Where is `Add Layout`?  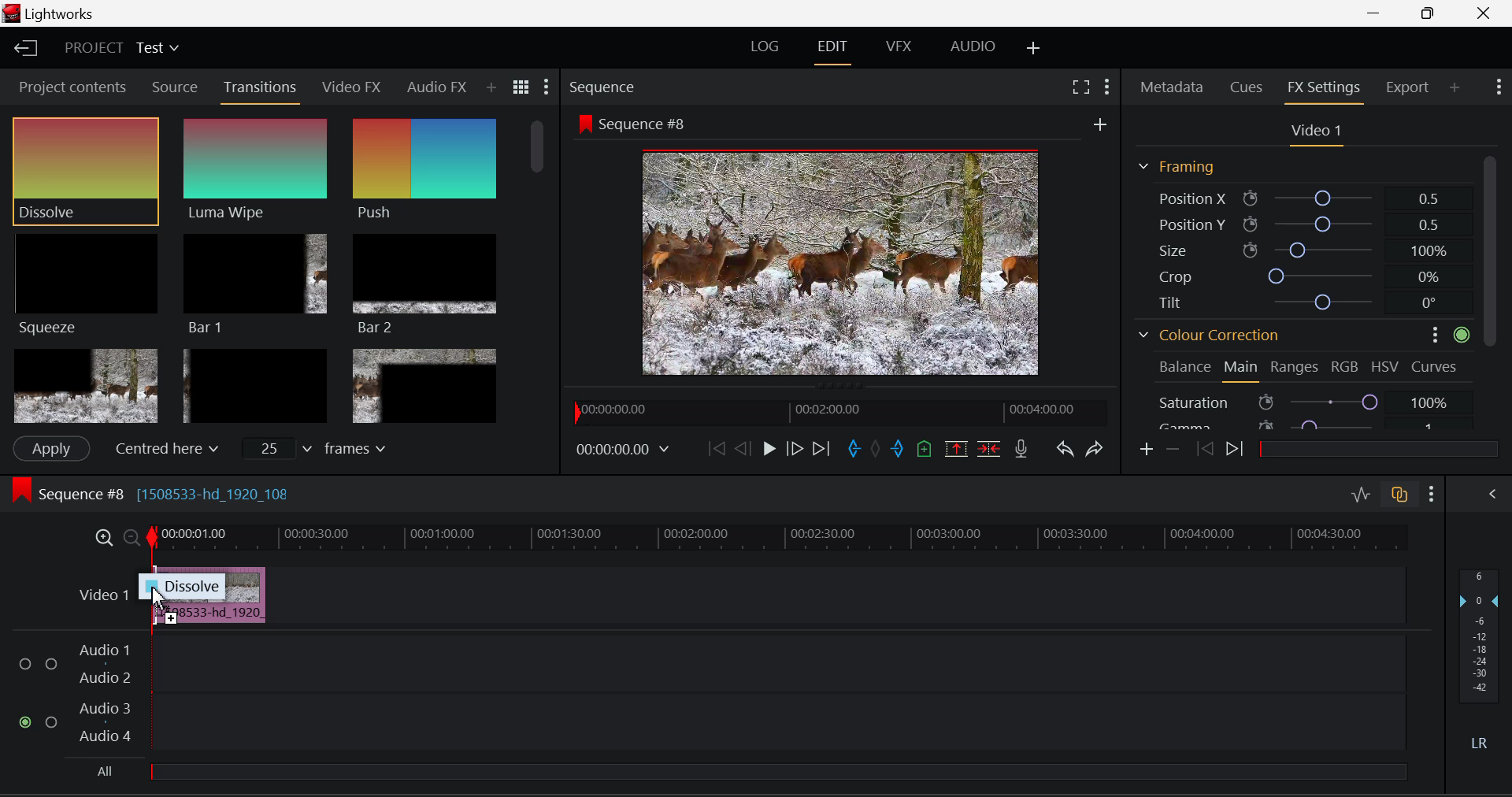
Add Layout is located at coordinates (1034, 46).